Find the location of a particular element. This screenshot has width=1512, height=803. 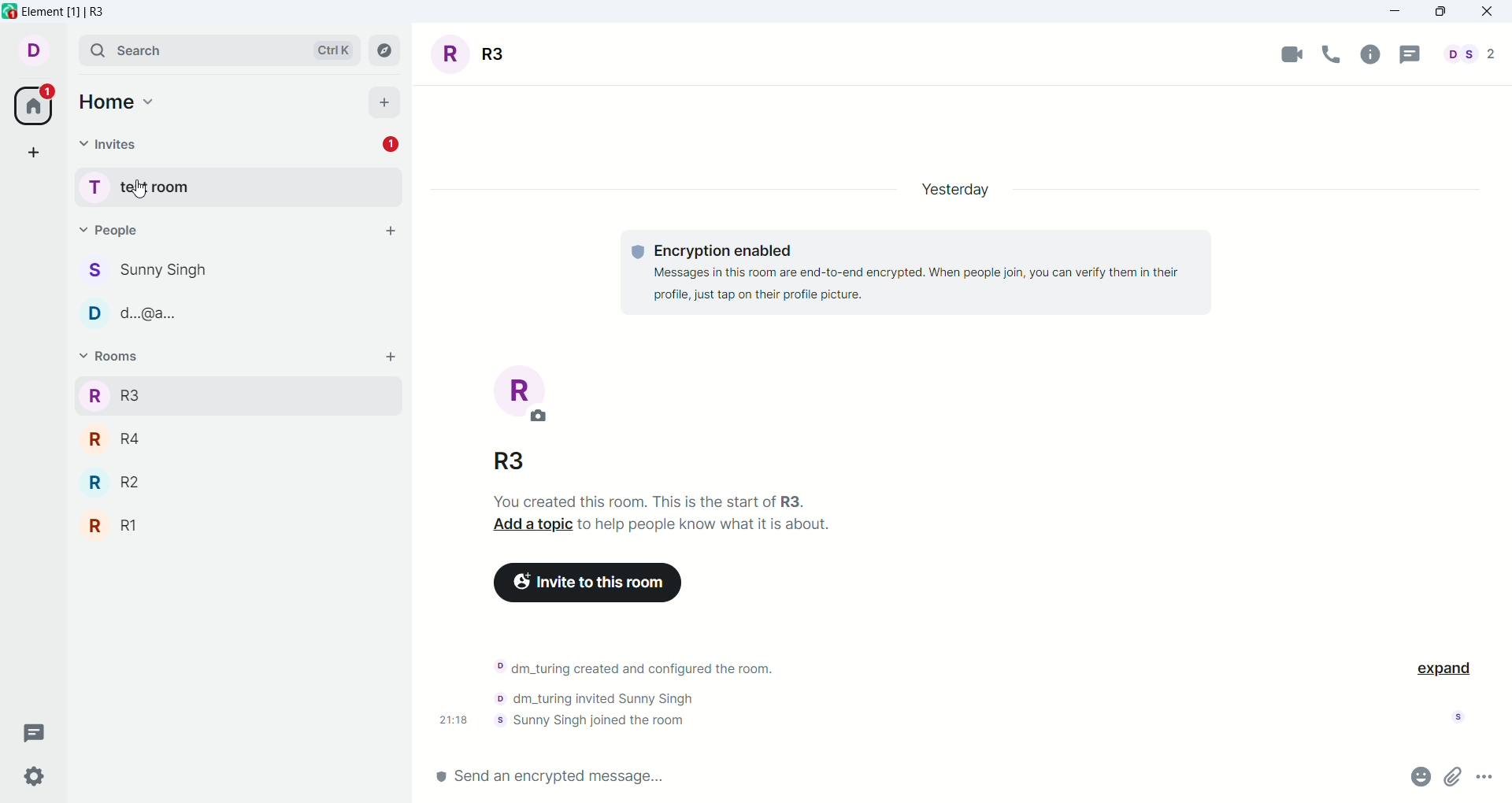

add is located at coordinates (384, 102).